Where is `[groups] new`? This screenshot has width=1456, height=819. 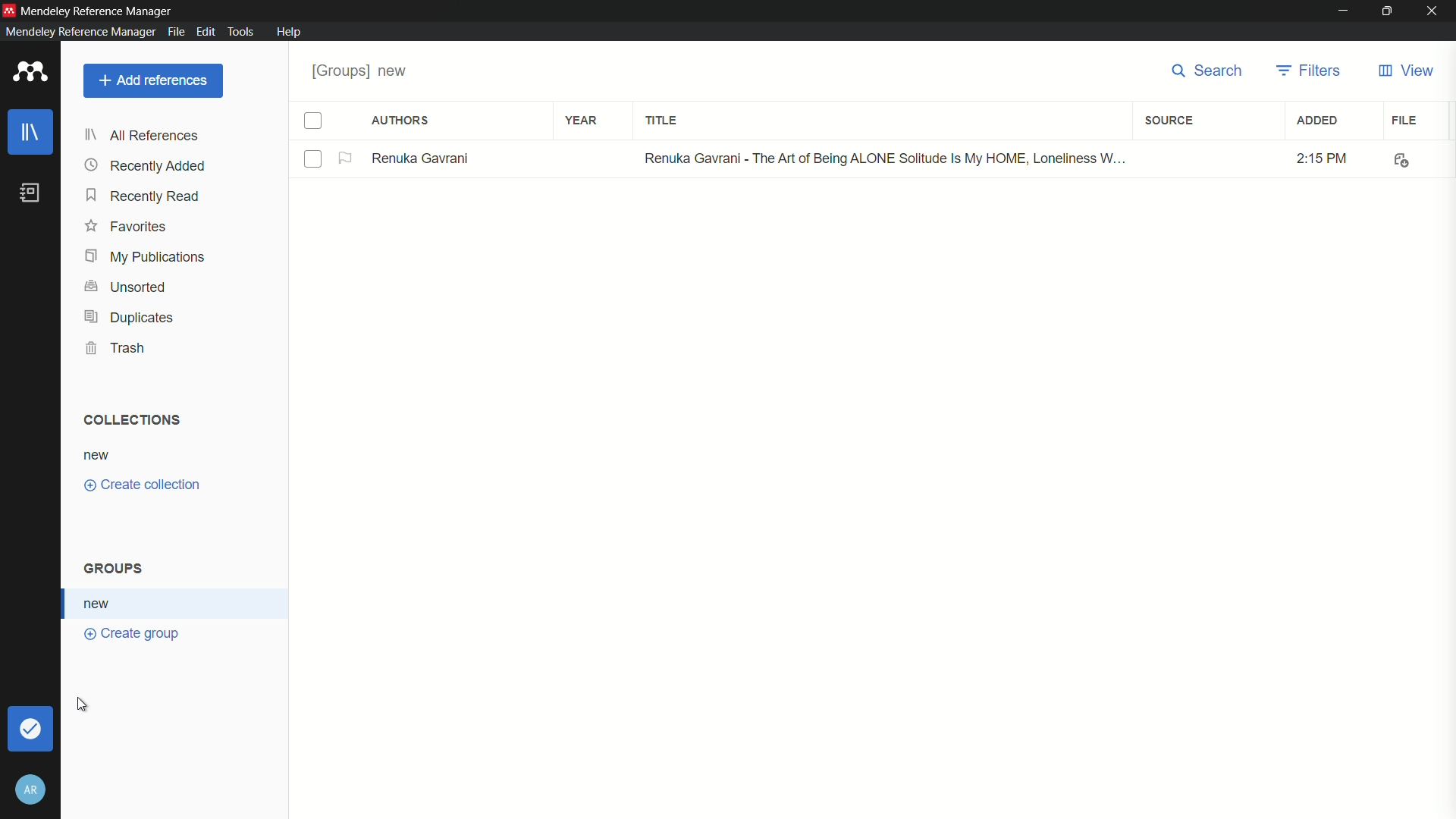 [groups] new is located at coordinates (364, 71).